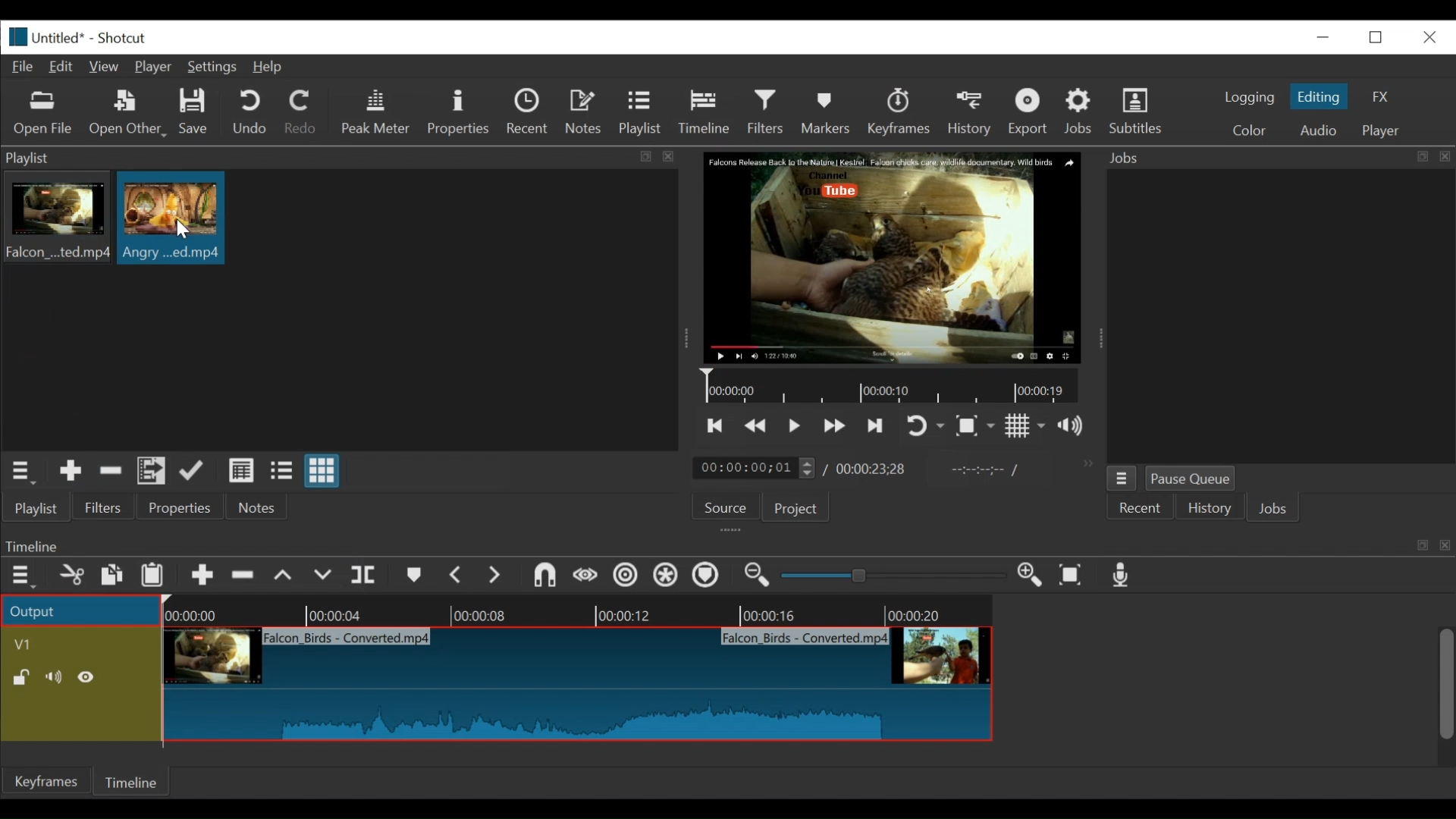 Image resolution: width=1456 pixels, height=819 pixels. Describe the element at coordinates (1077, 427) in the screenshot. I see `show volume control` at that location.